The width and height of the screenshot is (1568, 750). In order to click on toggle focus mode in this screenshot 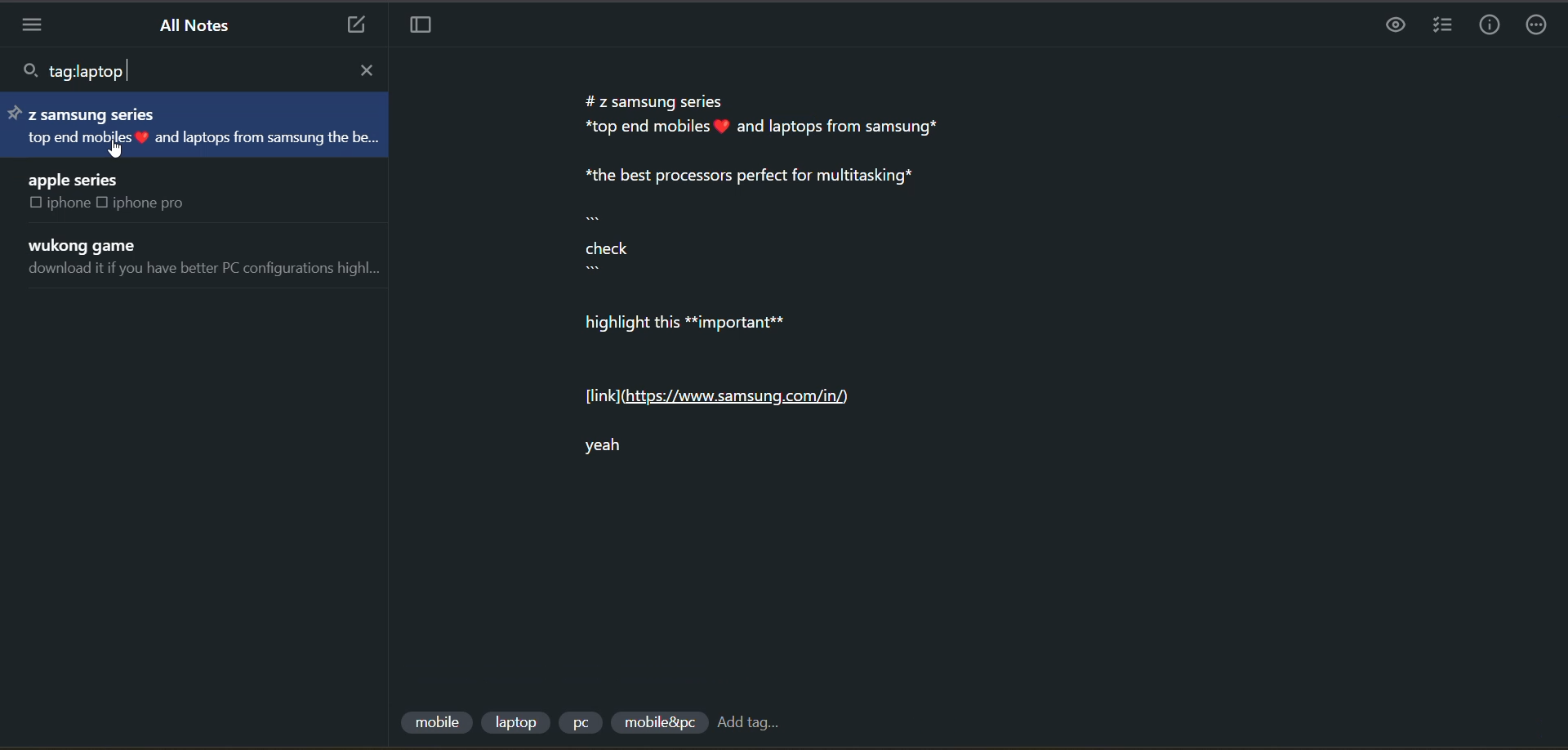, I will do `click(426, 29)`.